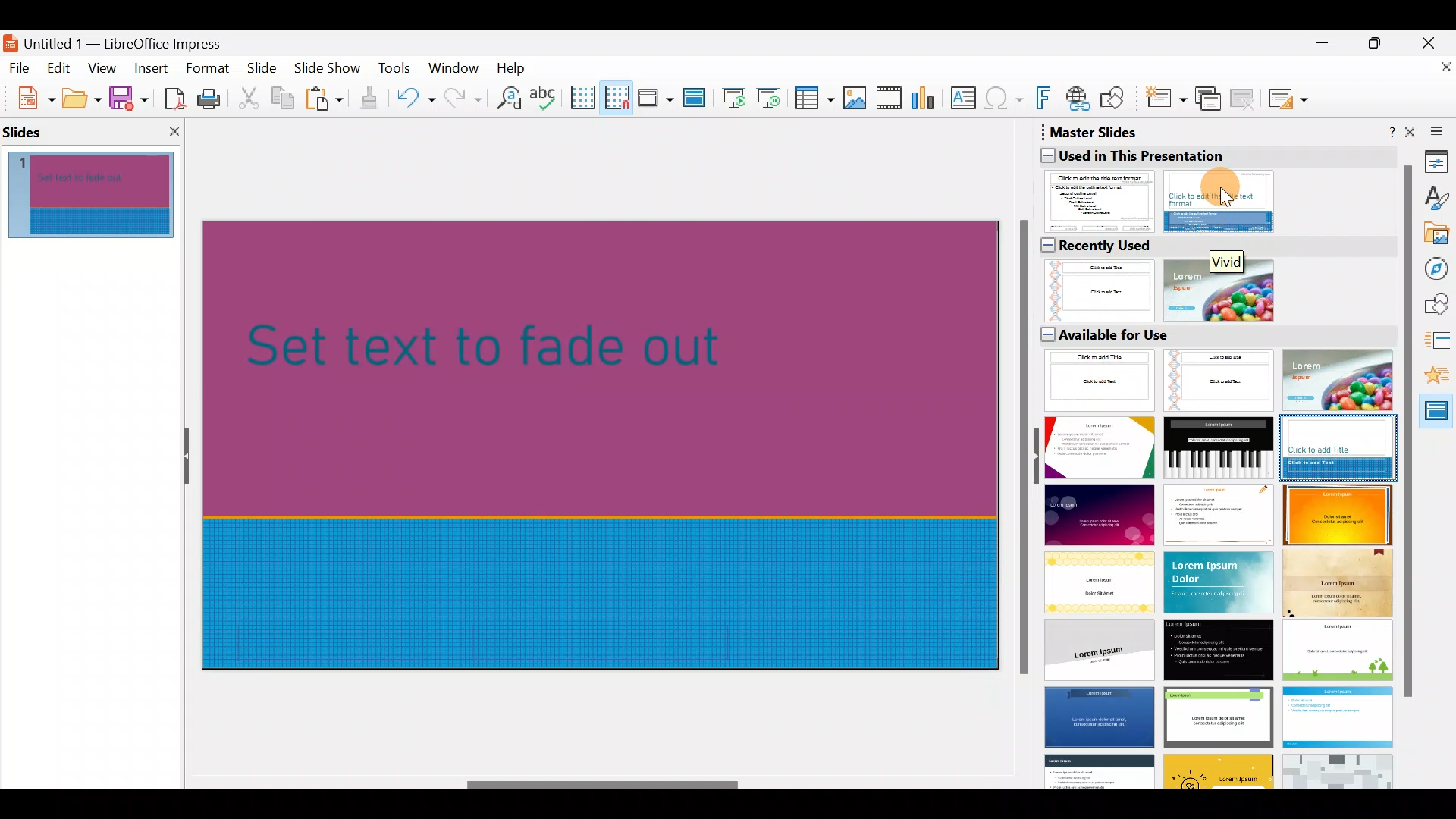 The width and height of the screenshot is (1456, 819). Describe the element at coordinates (206, 67) in the screenshot. I see `Format` at that location.